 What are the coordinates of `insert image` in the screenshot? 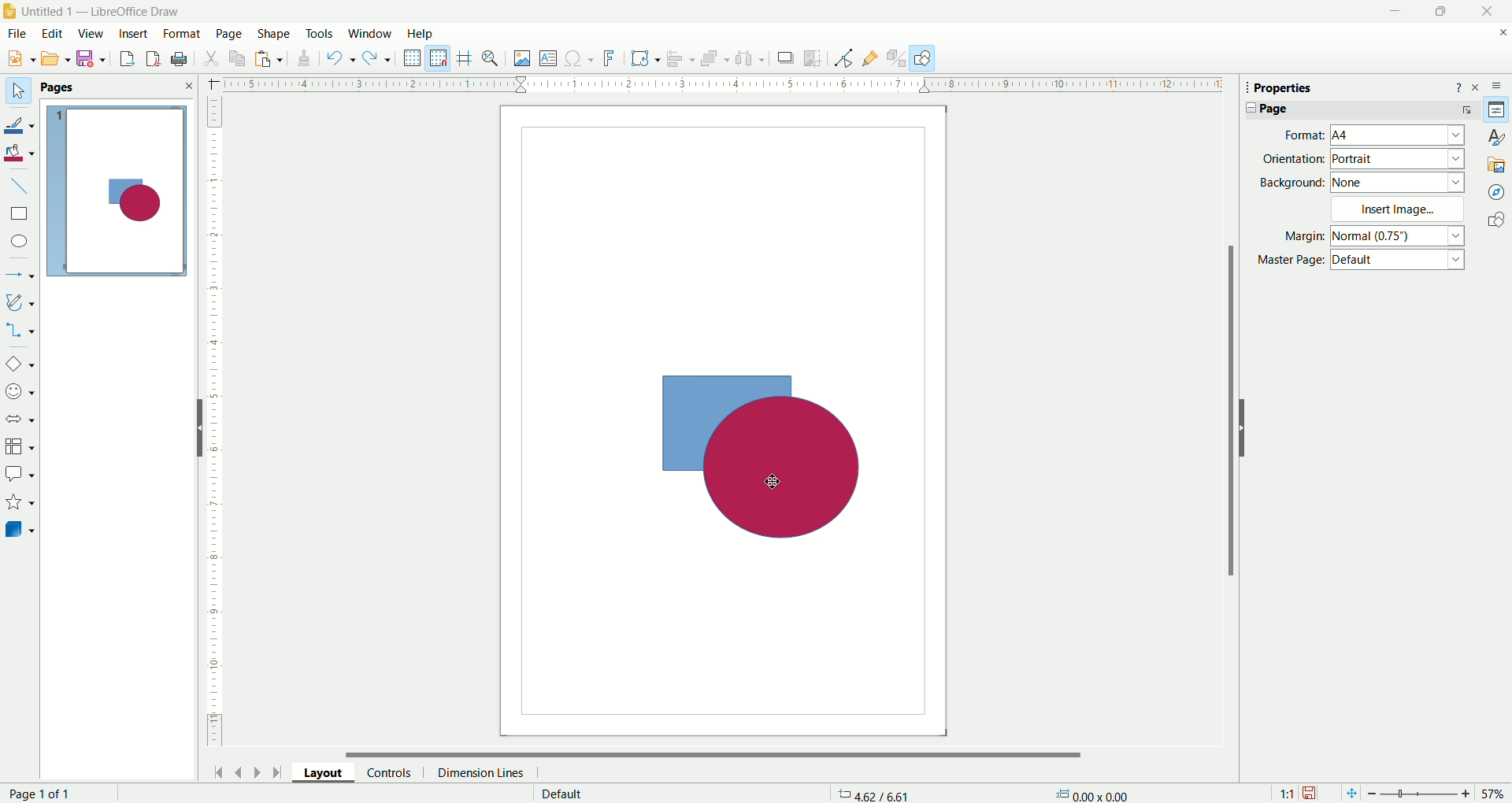 It's located at (1402, 209).